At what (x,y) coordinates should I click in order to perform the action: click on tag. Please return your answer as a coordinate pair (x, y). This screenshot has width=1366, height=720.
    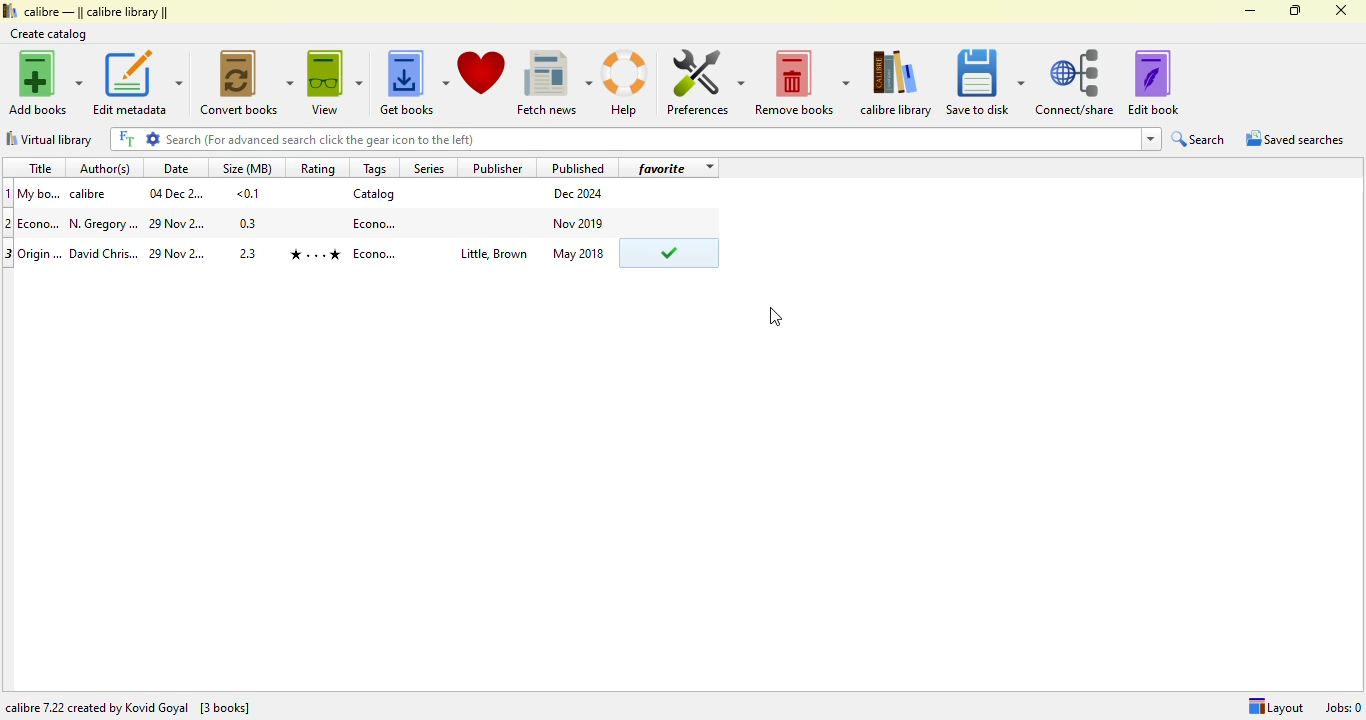
    Looking at the image, I should click on (376, 222).